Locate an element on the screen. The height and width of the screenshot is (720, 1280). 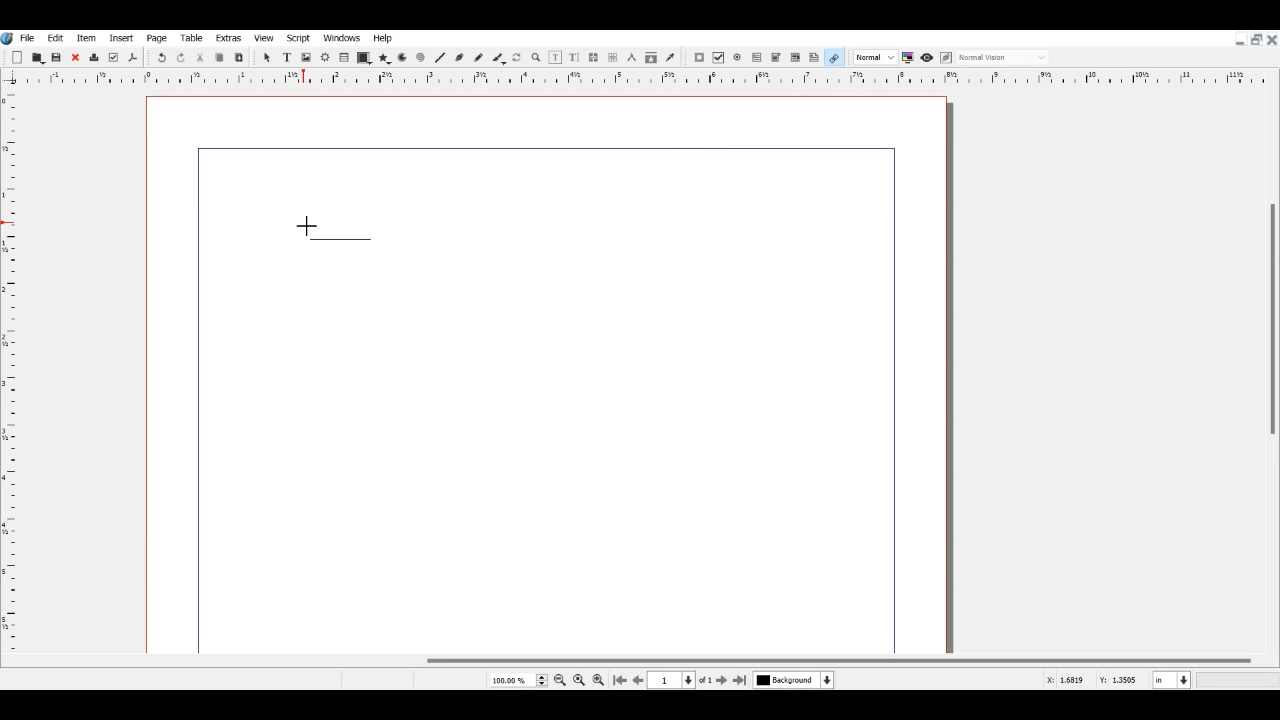
PDF List Box is located at coordinates (795, 58).